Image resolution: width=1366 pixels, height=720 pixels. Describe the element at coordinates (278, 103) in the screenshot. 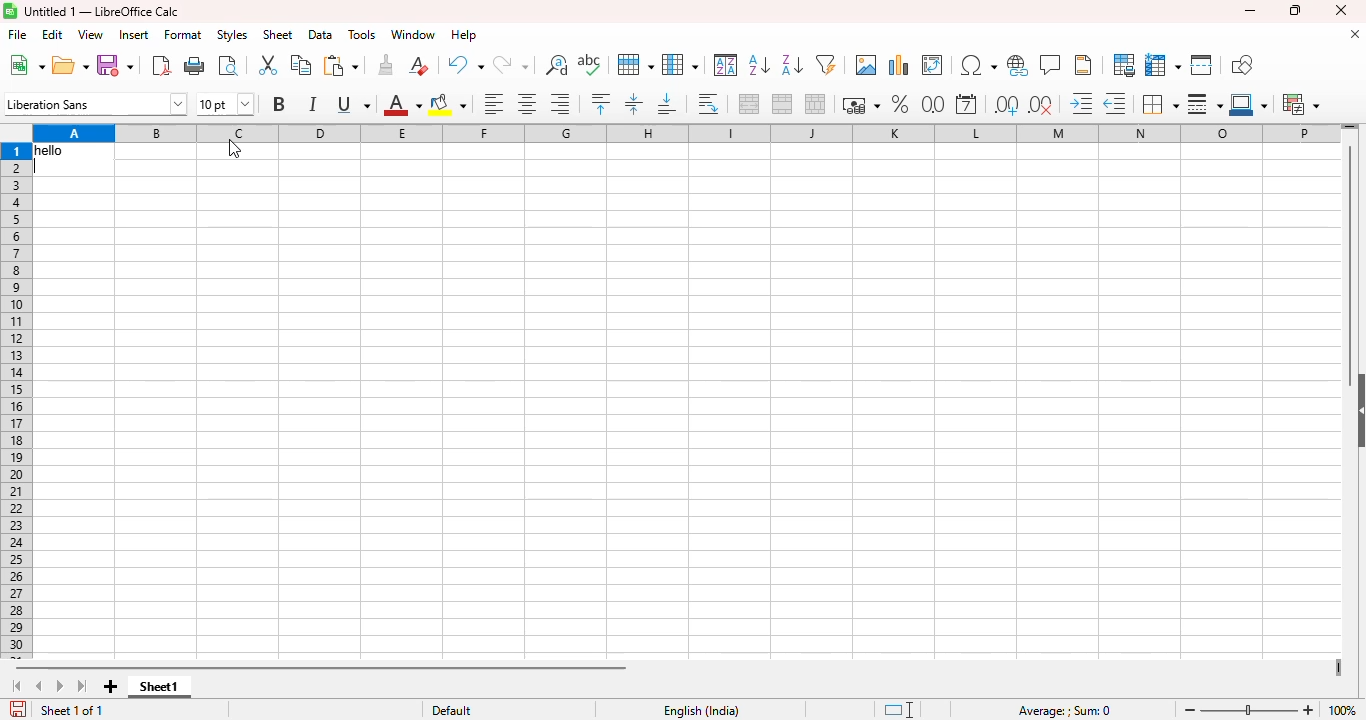

I see `bold` at that location.